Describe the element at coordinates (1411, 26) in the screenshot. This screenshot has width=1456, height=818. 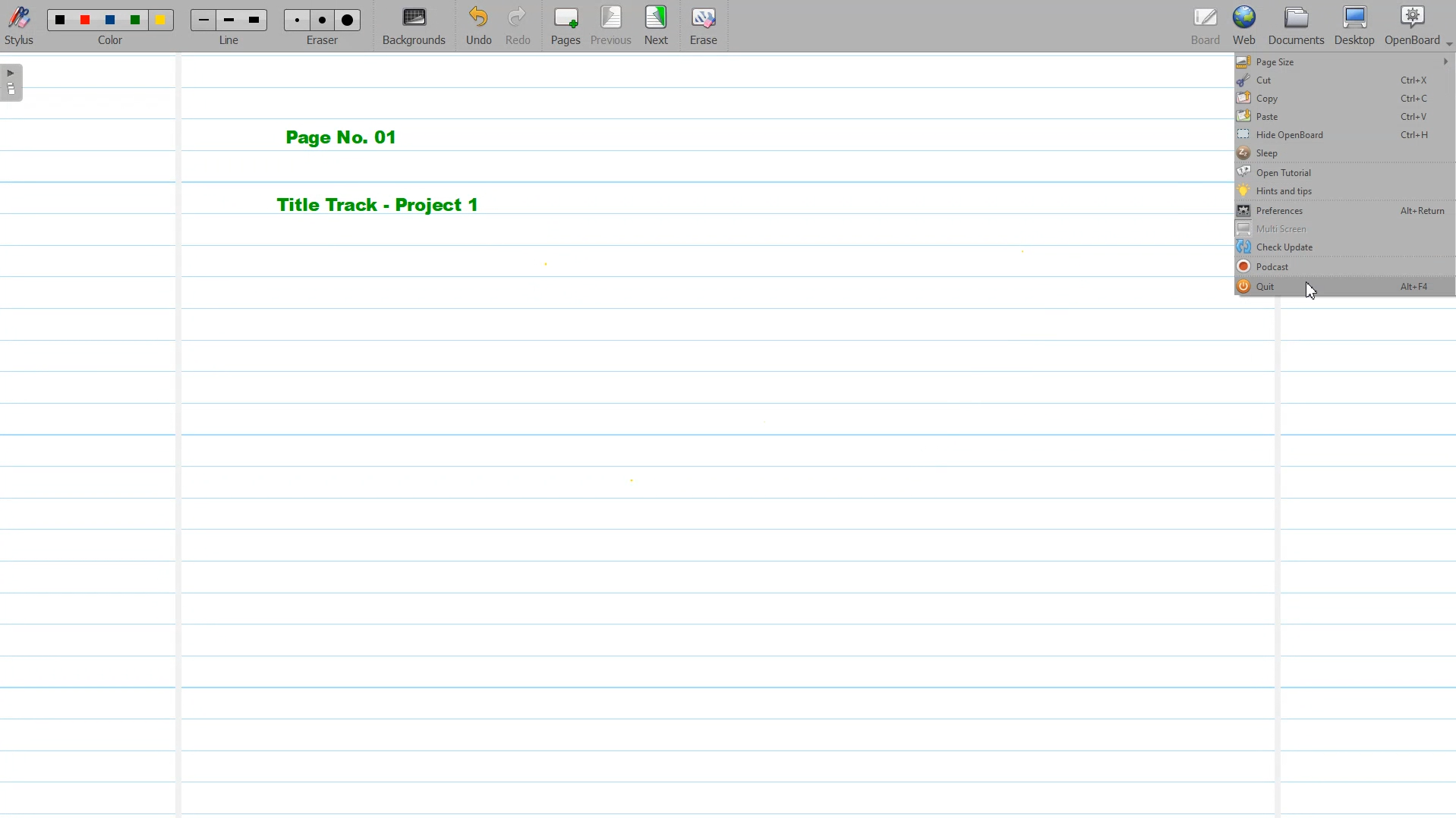
I see `Open Board` at that location.